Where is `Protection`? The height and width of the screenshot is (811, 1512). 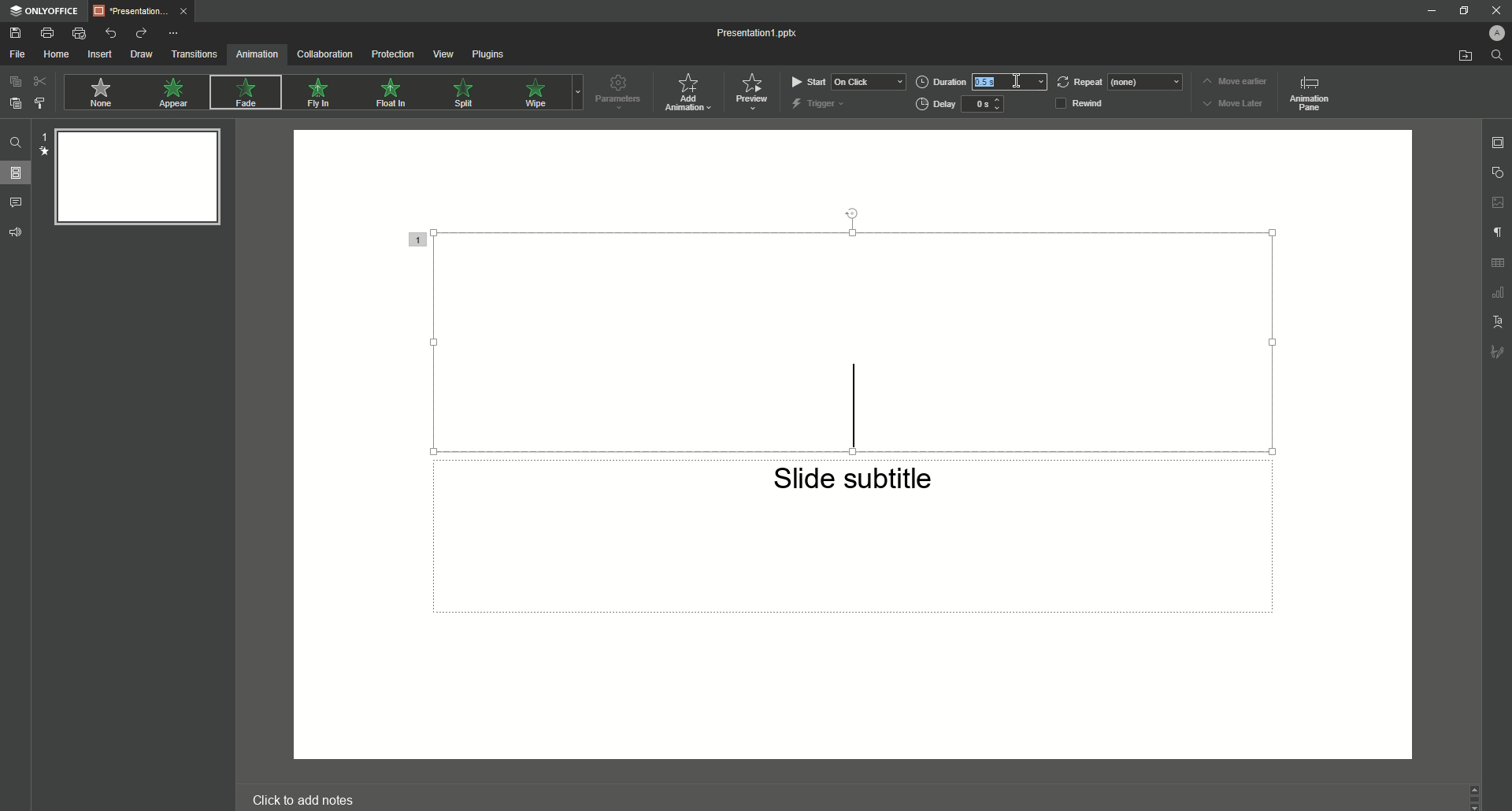 Protection is located at coordinates (392, 56).